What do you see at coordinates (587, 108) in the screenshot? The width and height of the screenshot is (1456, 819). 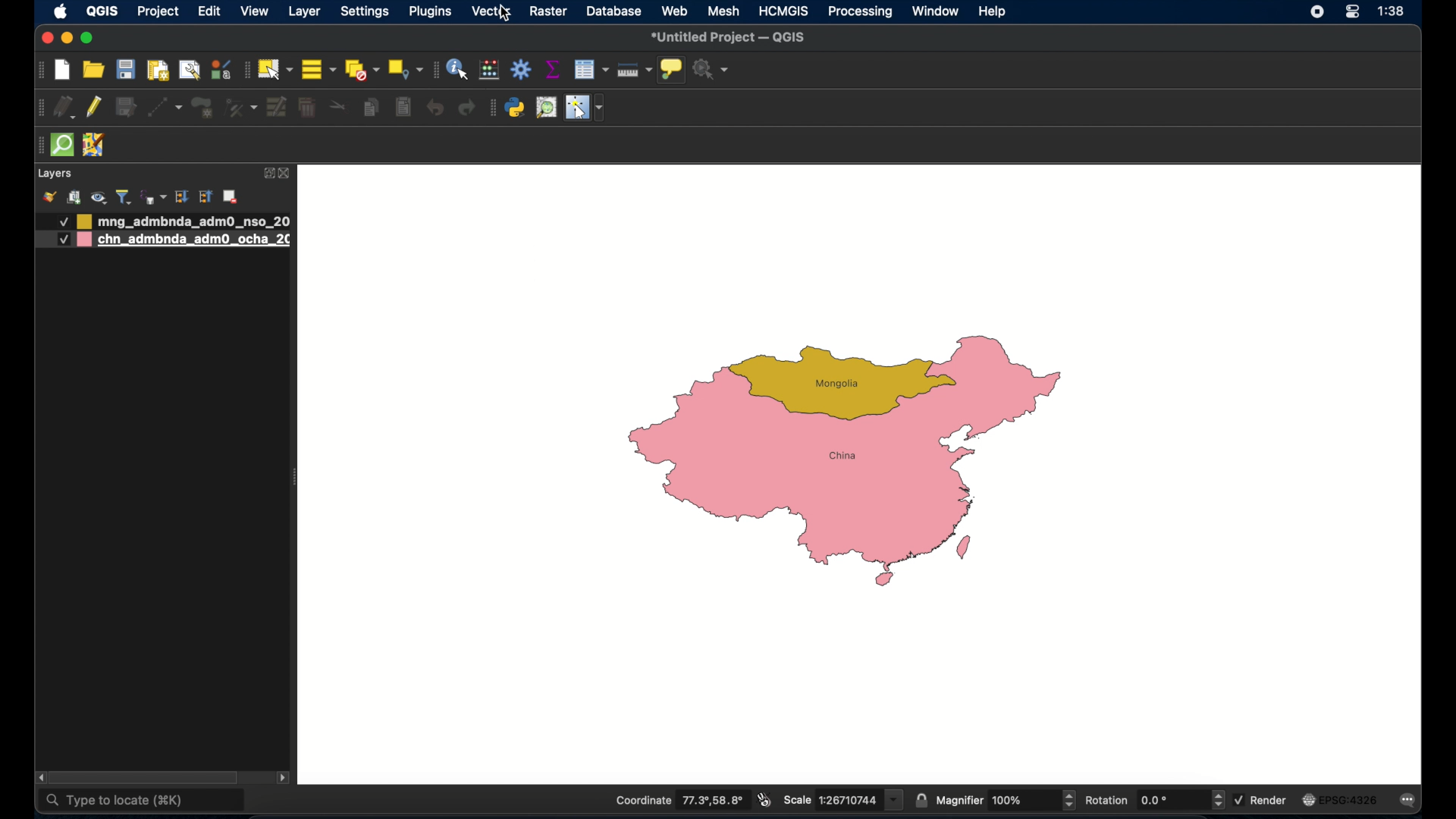 I see `switches cursor to configurable pointer` at bounding box center [587, 108].